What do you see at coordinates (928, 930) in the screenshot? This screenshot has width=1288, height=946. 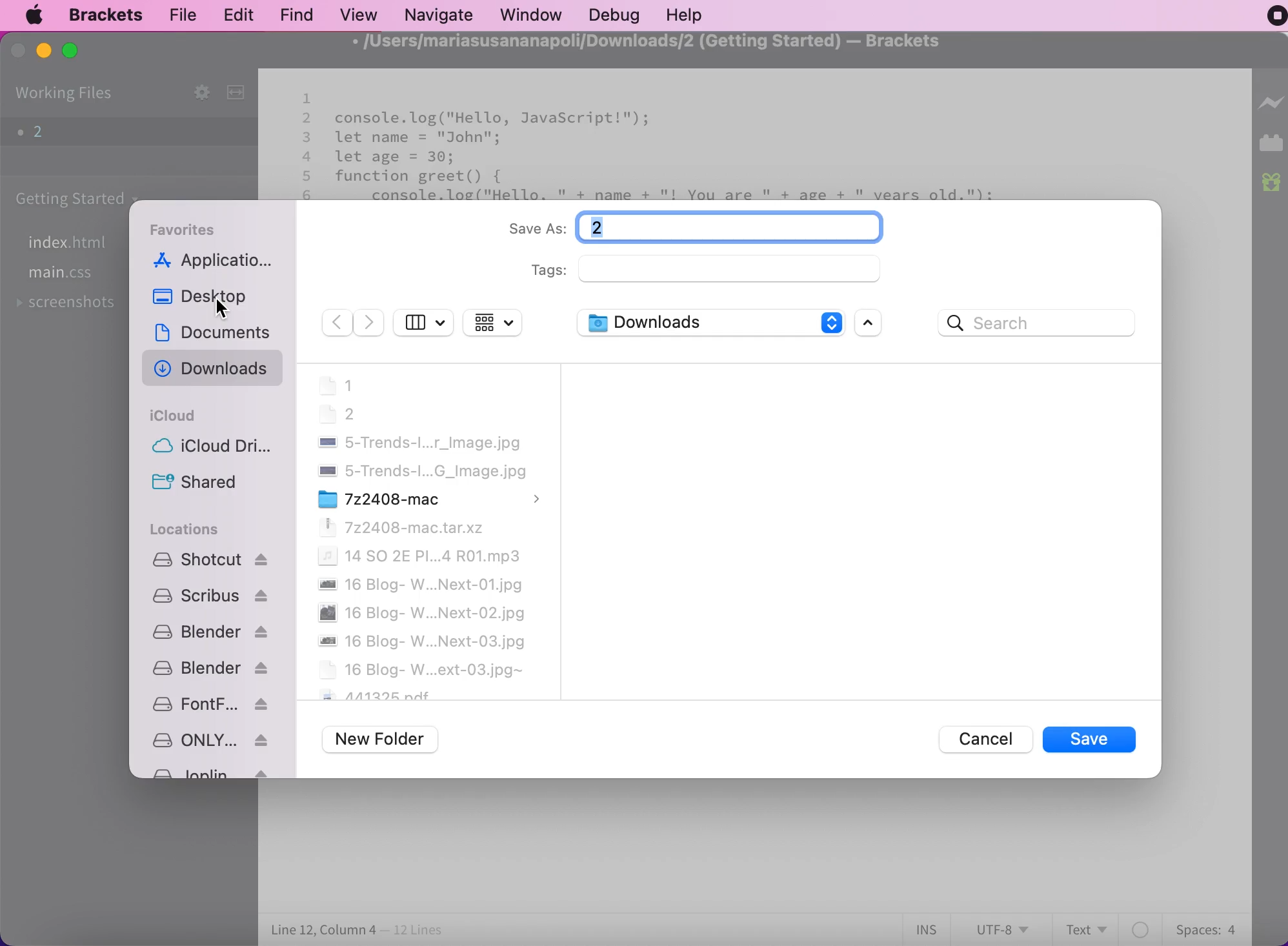 I see `ins` at bounding box center [928, 930].